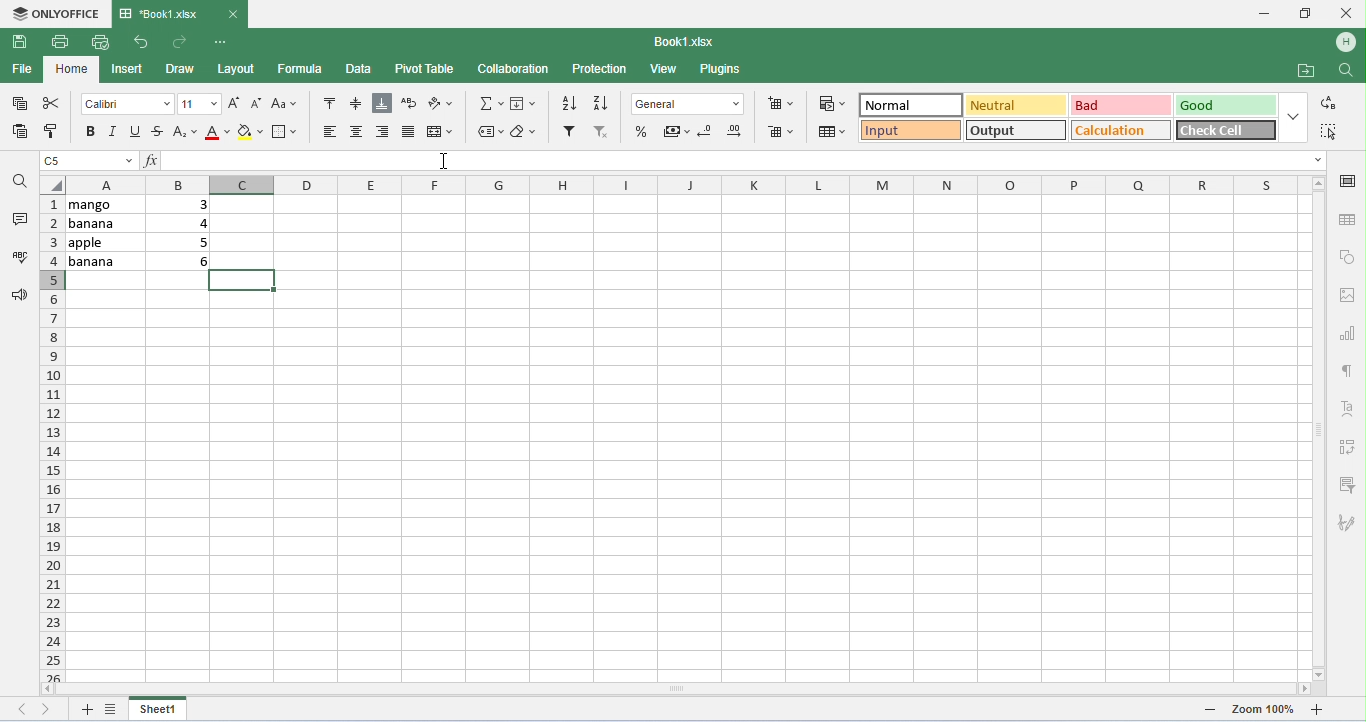 This screenshot has width=1366, height=722. What do you see at coordinates (48, 709) in the screenshot?
I see `next sheet` at bounding box center [48, 709].